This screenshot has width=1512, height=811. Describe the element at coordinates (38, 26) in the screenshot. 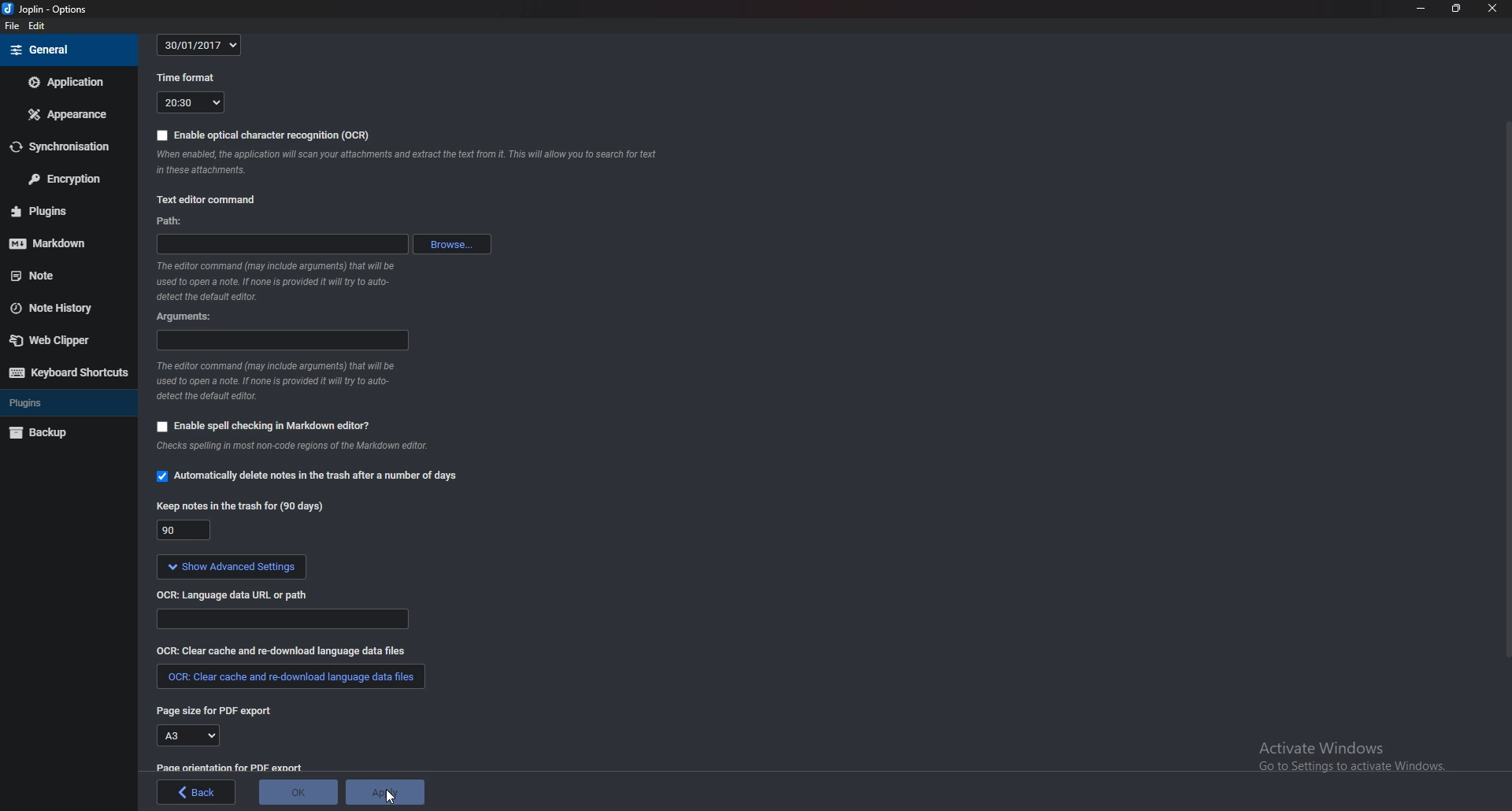

I see `Edit` at that location.